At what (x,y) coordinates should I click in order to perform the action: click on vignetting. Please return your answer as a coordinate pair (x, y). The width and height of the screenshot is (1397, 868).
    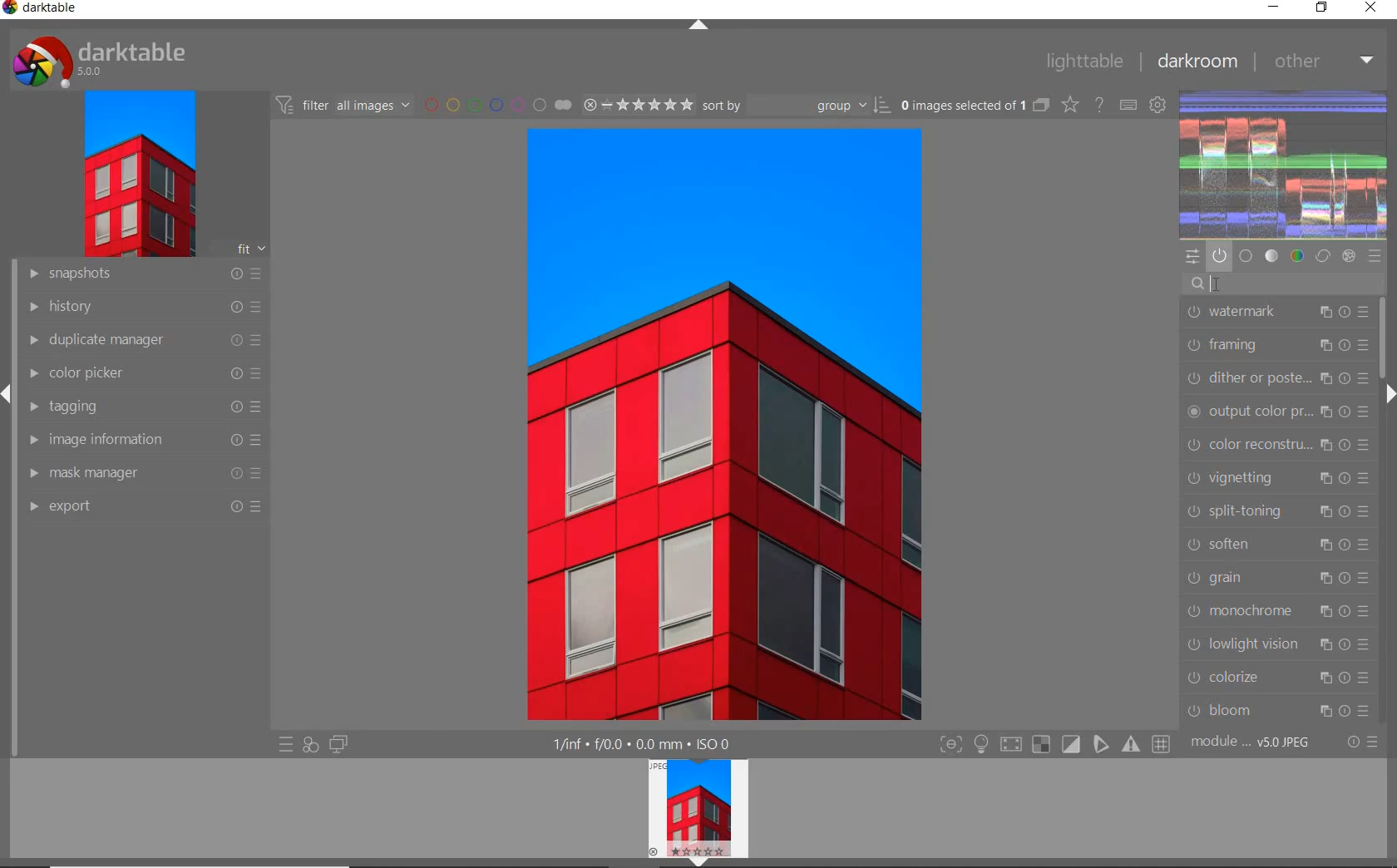
    Looking at the image, I should click on (1282, 477).